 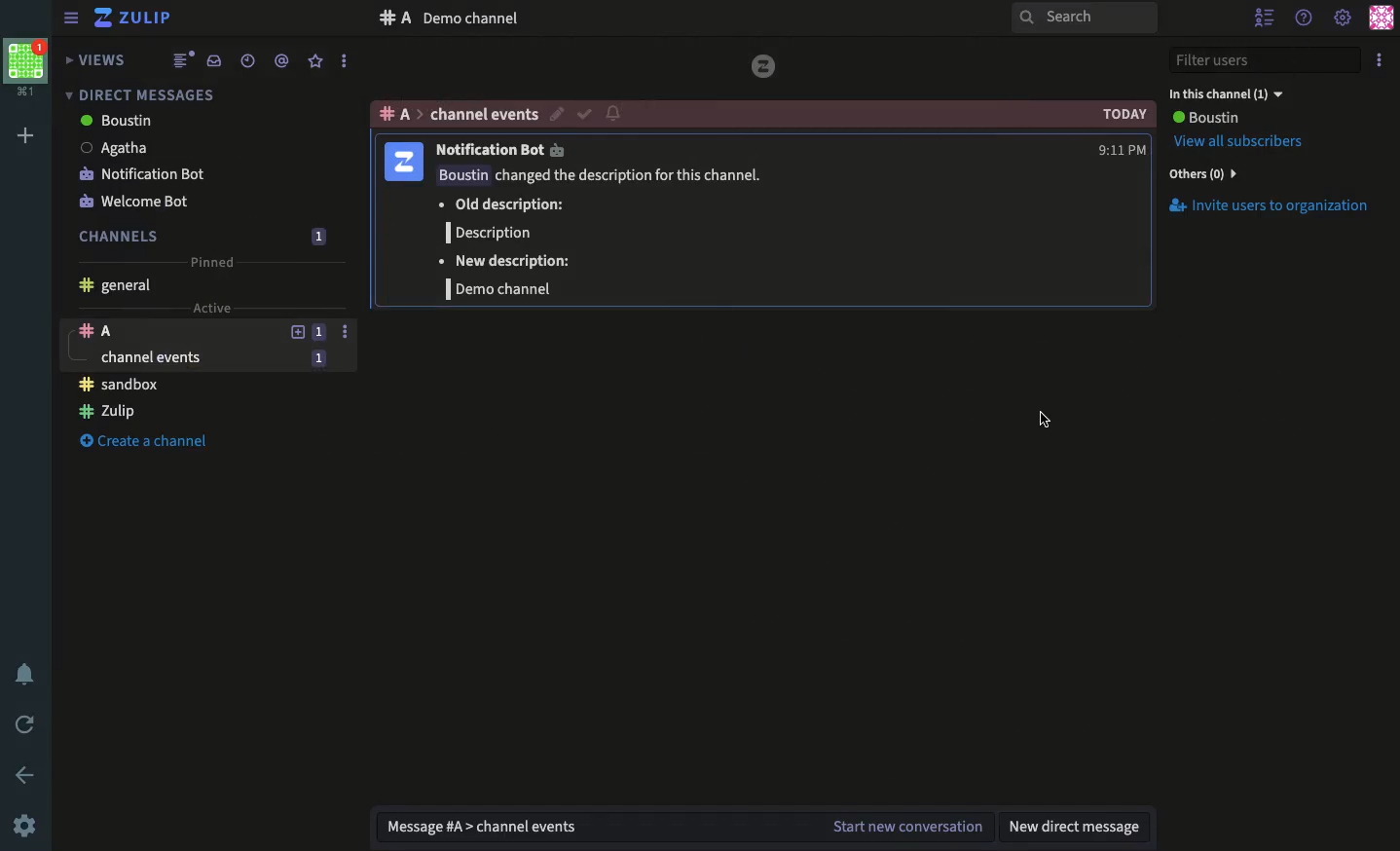 I want to click on Invite users to organization, so click(x=1271, y=205).